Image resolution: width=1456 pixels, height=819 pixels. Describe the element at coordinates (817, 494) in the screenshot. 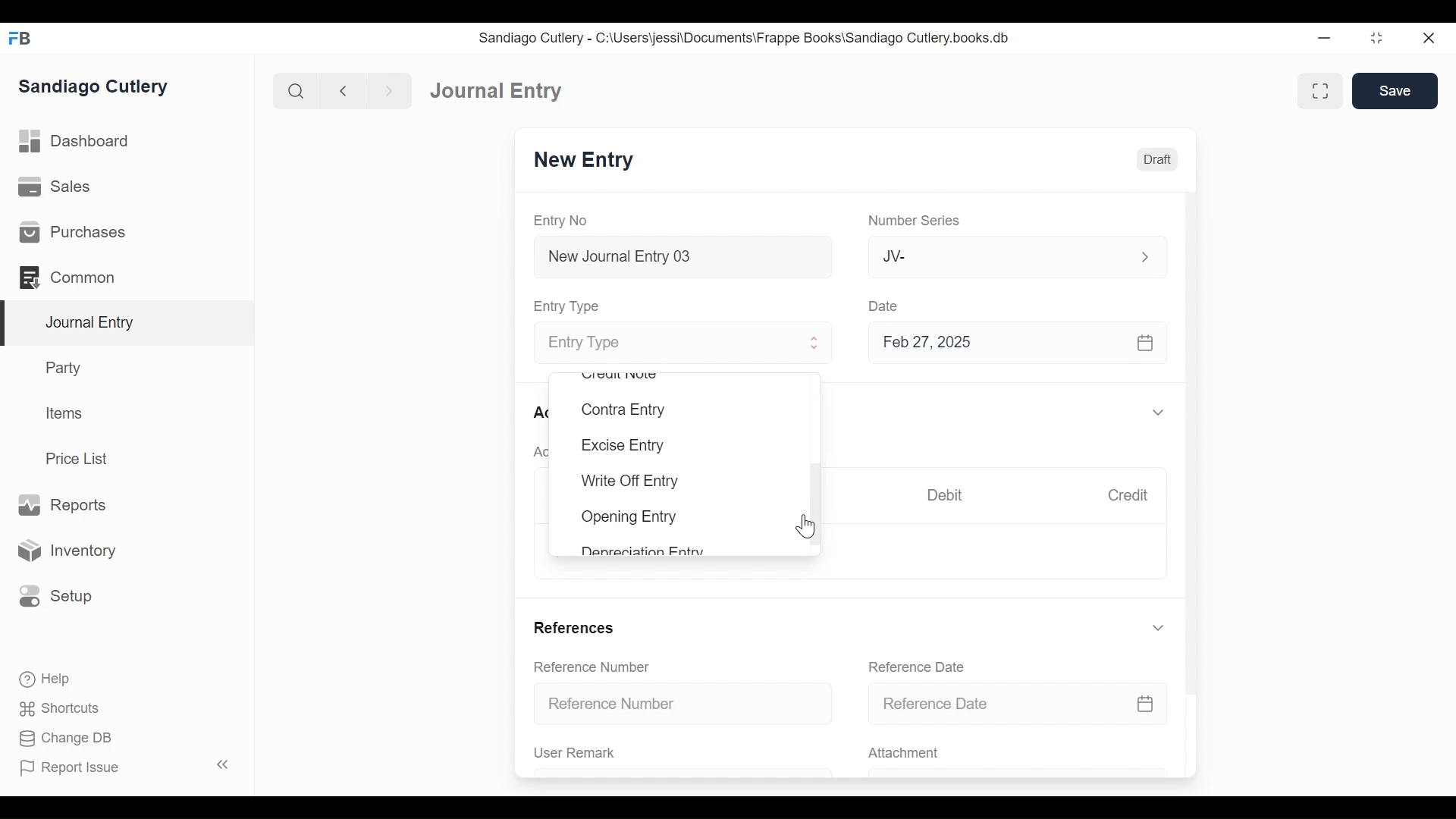

I see `Vertical Scroll bar` at that location.